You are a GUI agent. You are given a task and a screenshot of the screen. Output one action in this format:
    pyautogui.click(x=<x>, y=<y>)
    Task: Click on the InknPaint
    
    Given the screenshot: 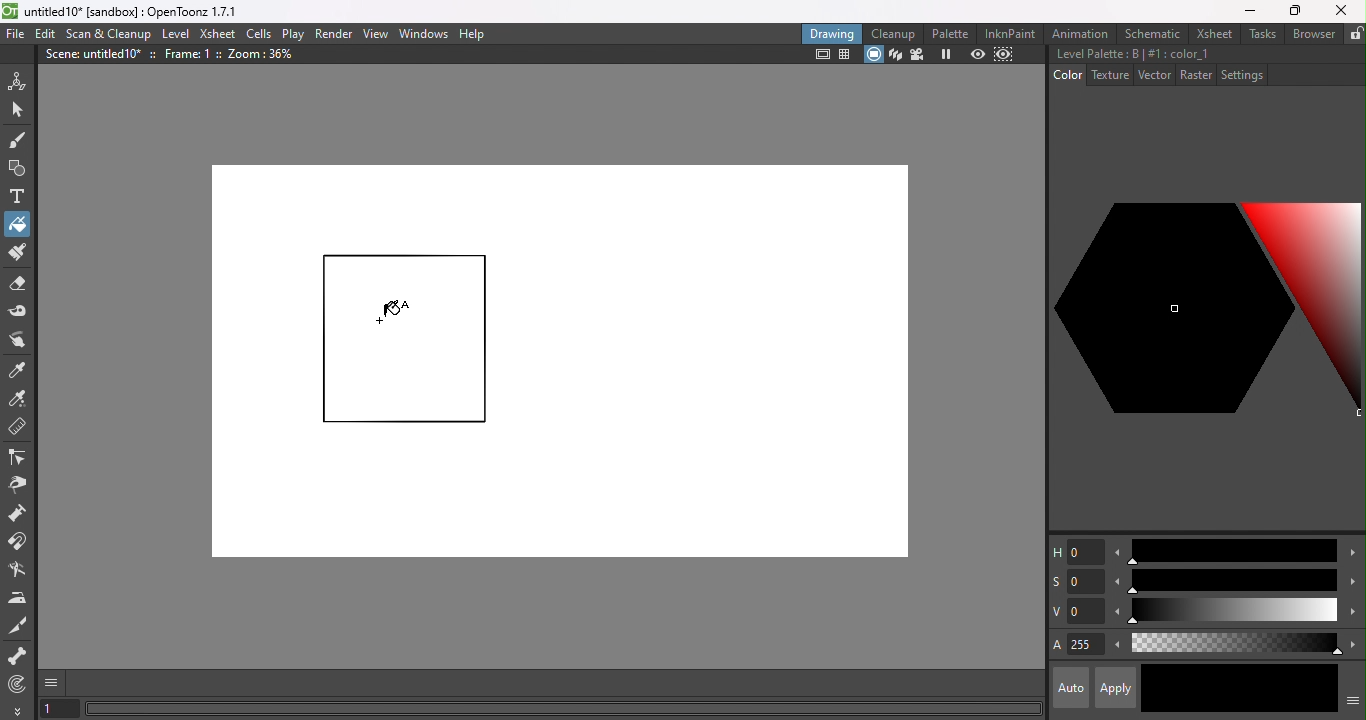 What is the action you would take?
    pyautogui.click(x=1014, y=33)
    